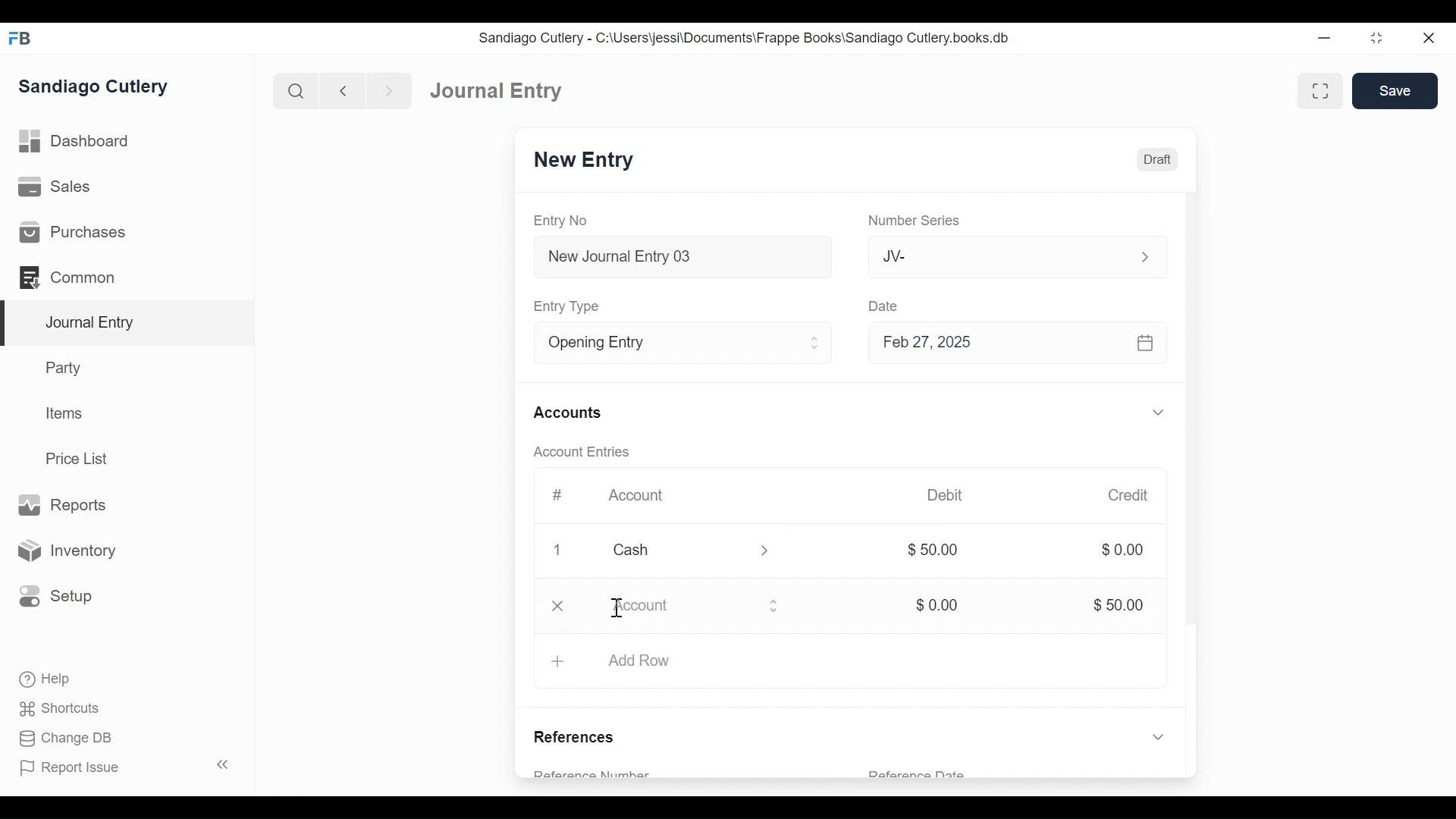 This screenshot has height=819, width=1456. I want to click on Entry No, so click(560, 221).